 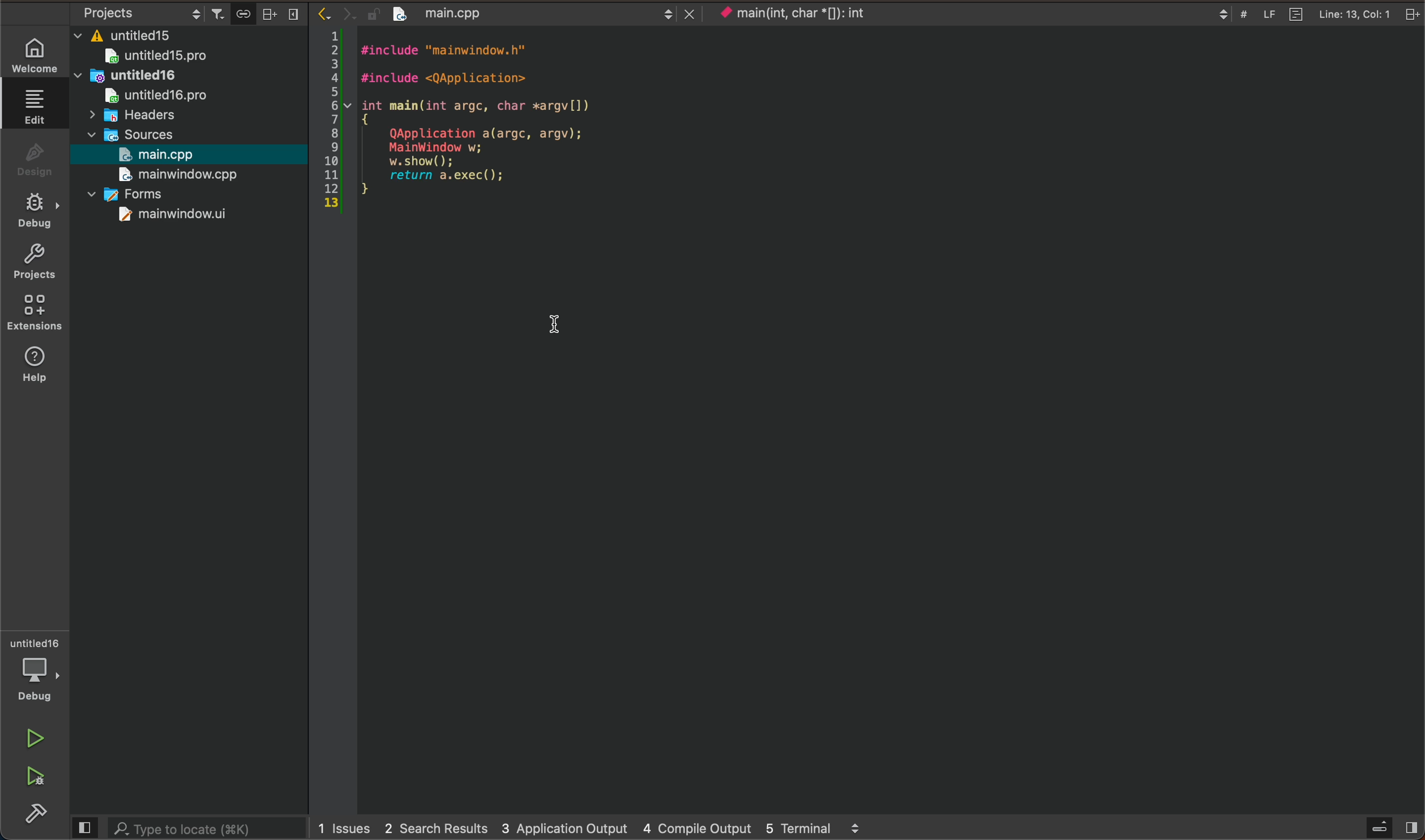 What do you see at coordinates (35, 49) in the screenshot?
I see `welcome` at bounding box center [35, 49].